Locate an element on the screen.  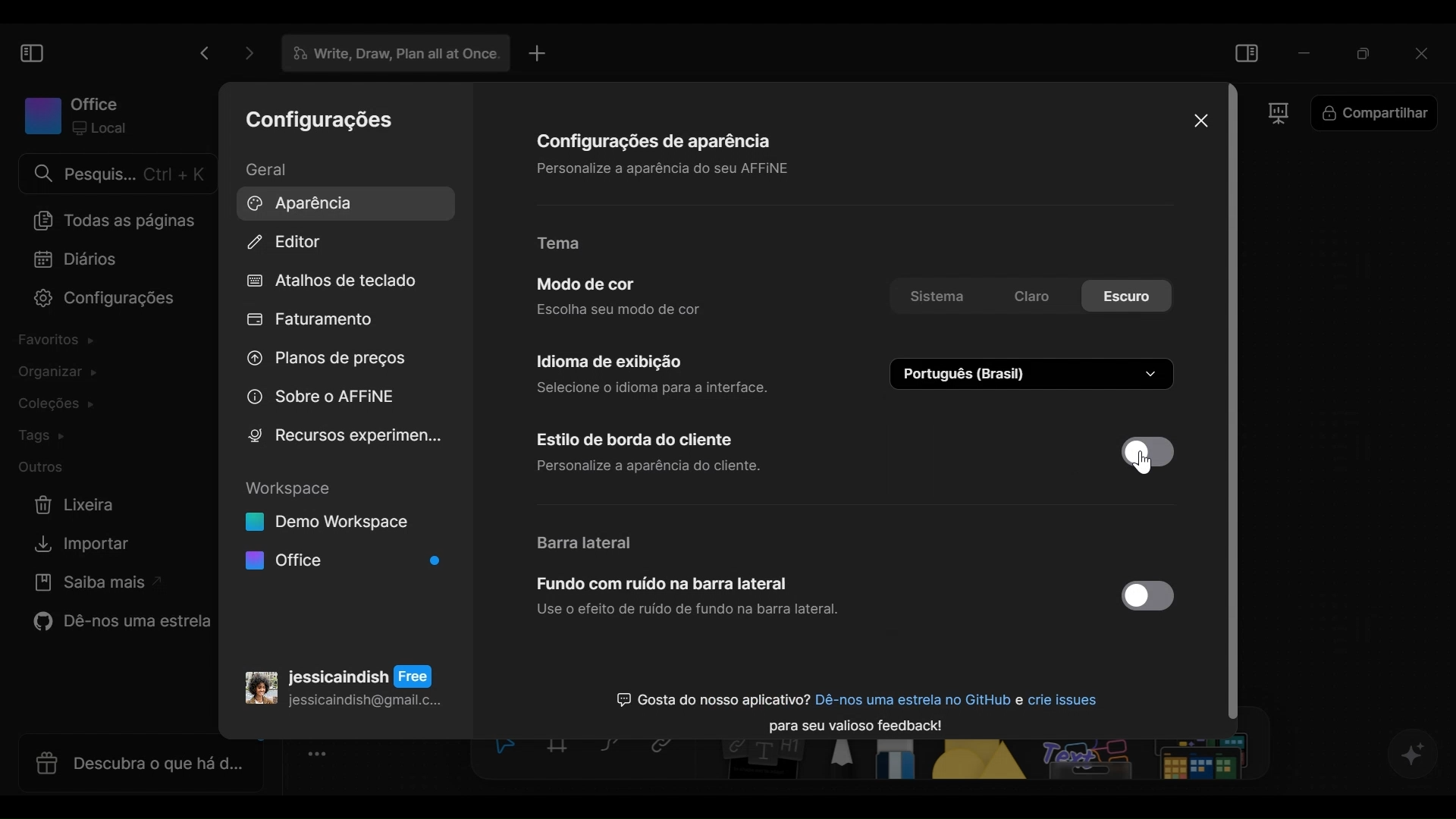
Tags is located at coordinates (46, 436).